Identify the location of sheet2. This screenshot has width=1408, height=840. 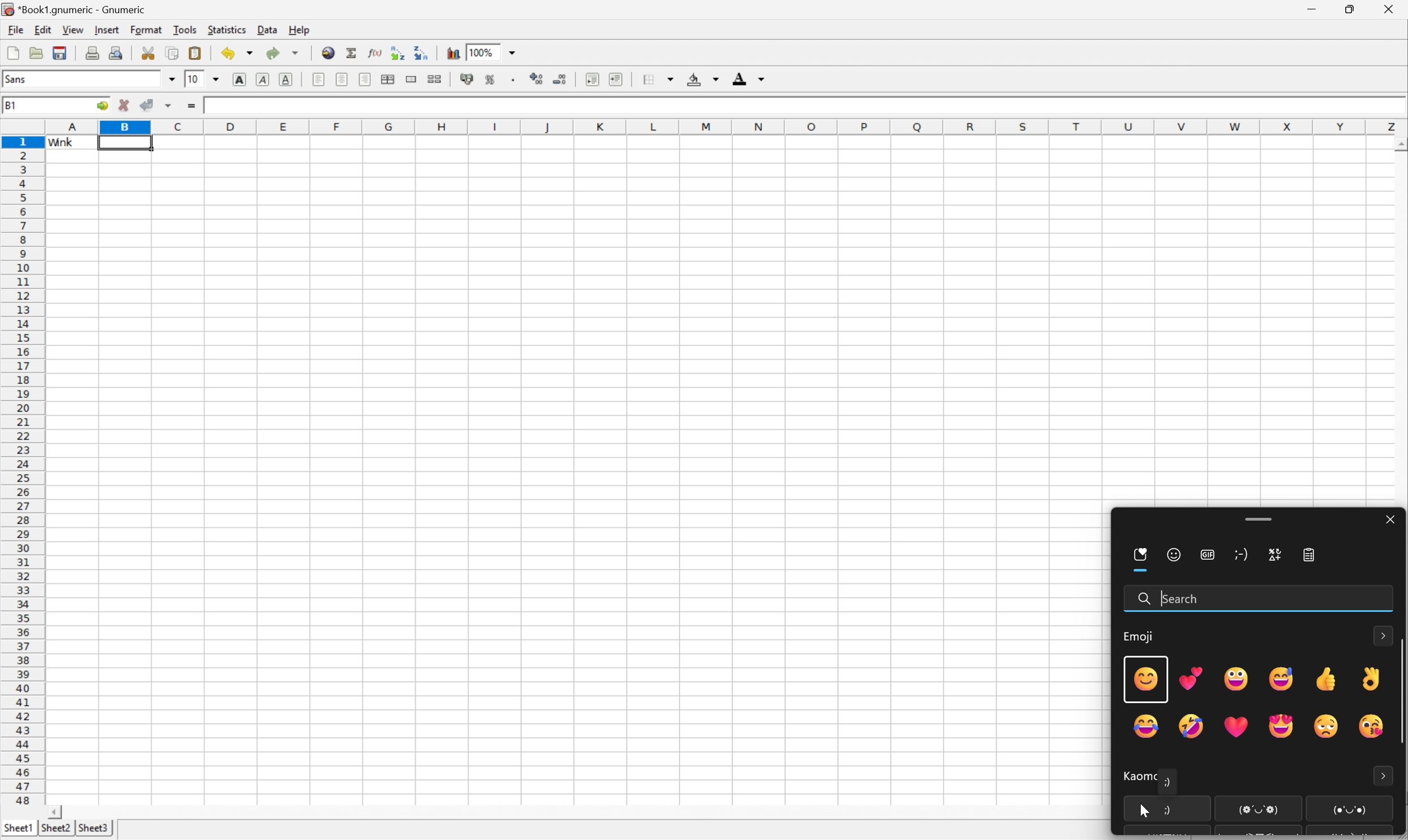
(53, 829).